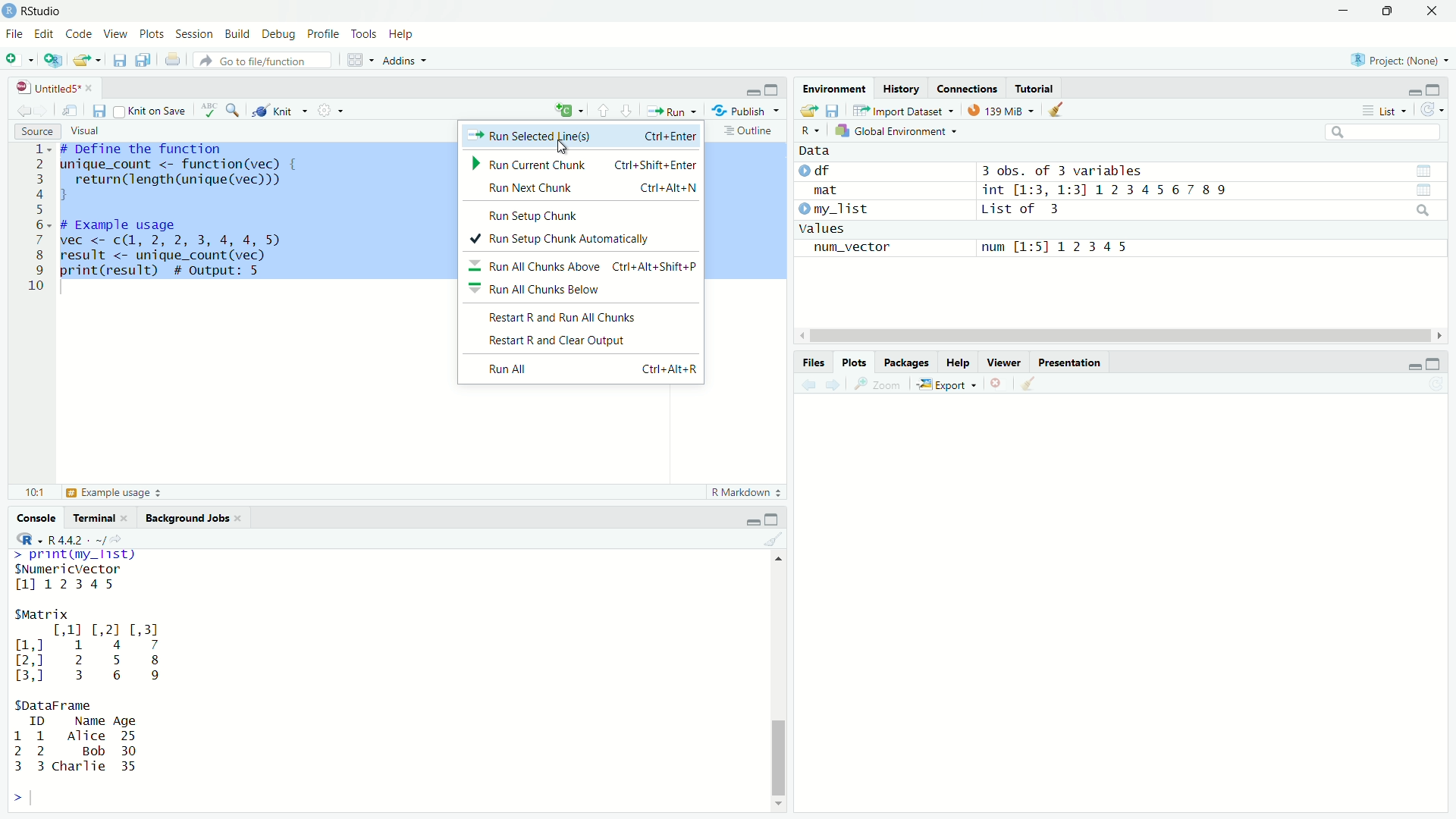 This screenshot has width=1456, height=819. I want to click on Background, so click(189, 518).